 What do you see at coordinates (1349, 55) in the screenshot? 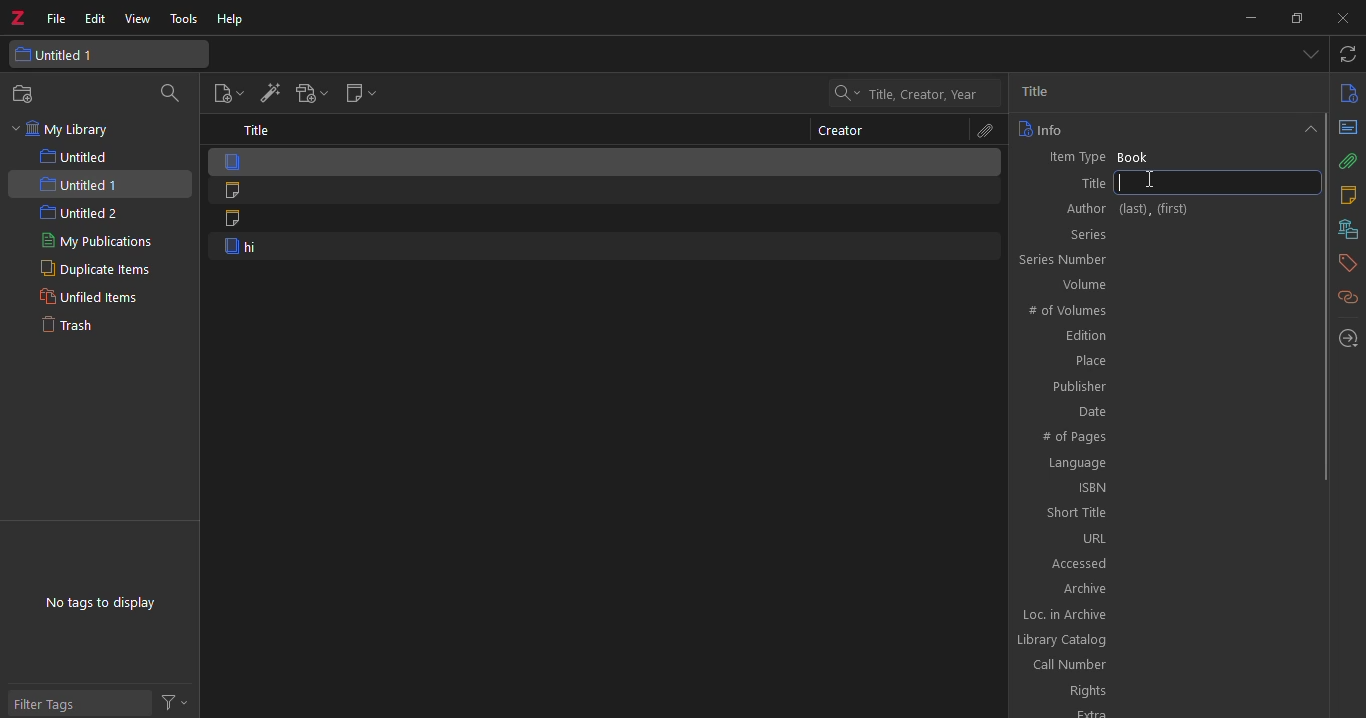
I see `sync with zotero.org` at bounding box center [1349, 55].